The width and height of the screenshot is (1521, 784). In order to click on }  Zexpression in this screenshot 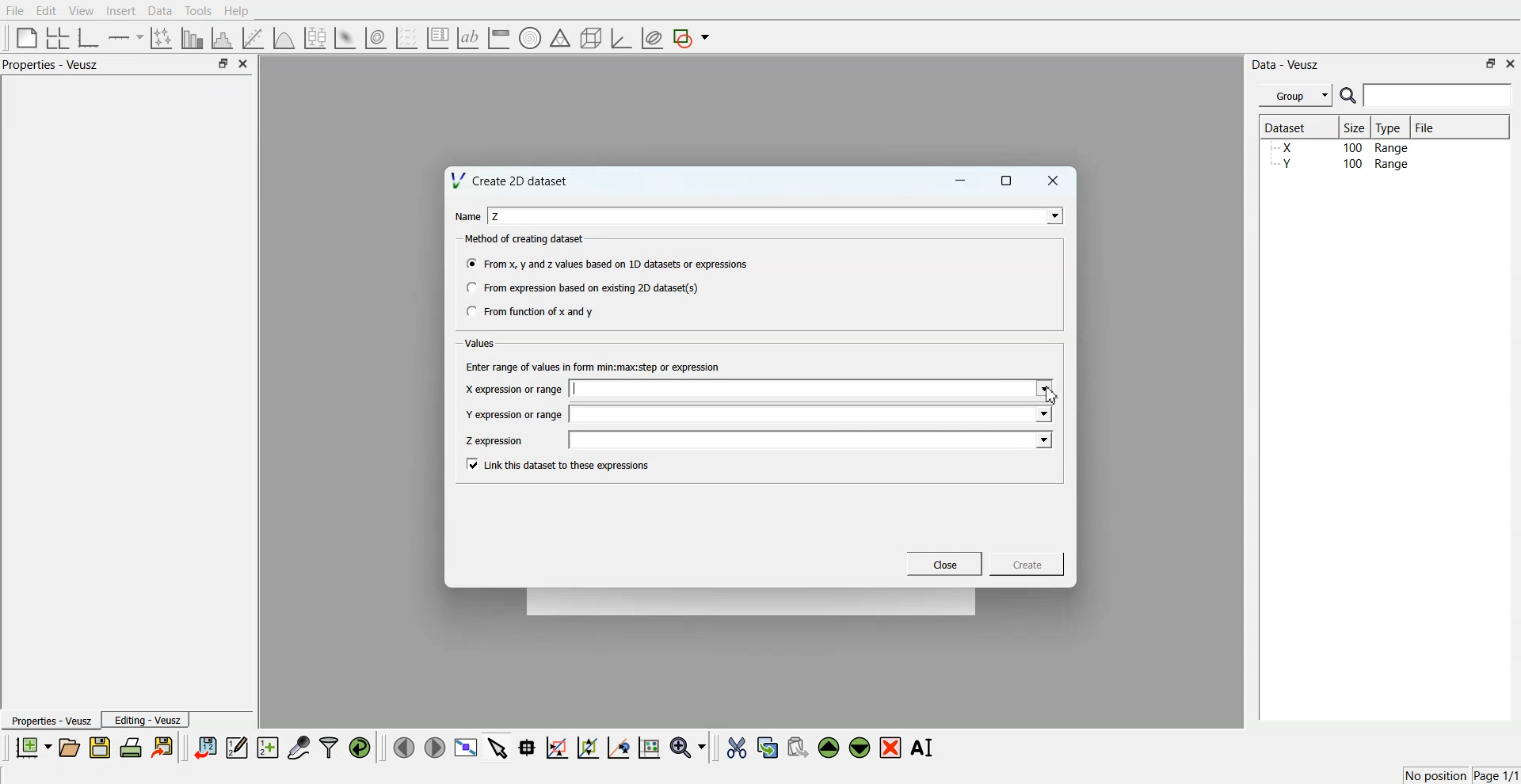, I will do `click(496, 441)`.